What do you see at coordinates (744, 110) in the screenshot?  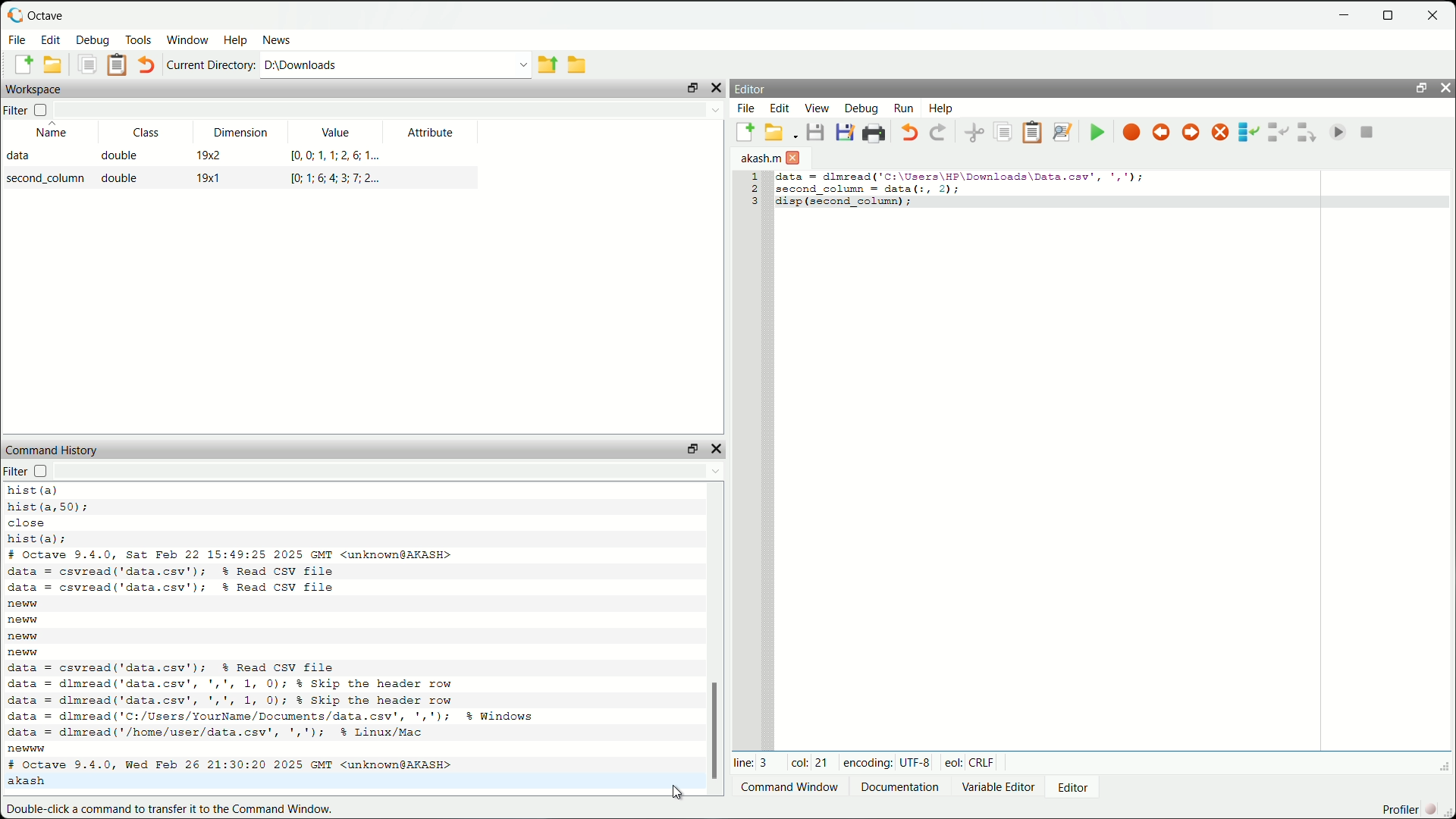 I see `file` at bounding box center [744, 110].